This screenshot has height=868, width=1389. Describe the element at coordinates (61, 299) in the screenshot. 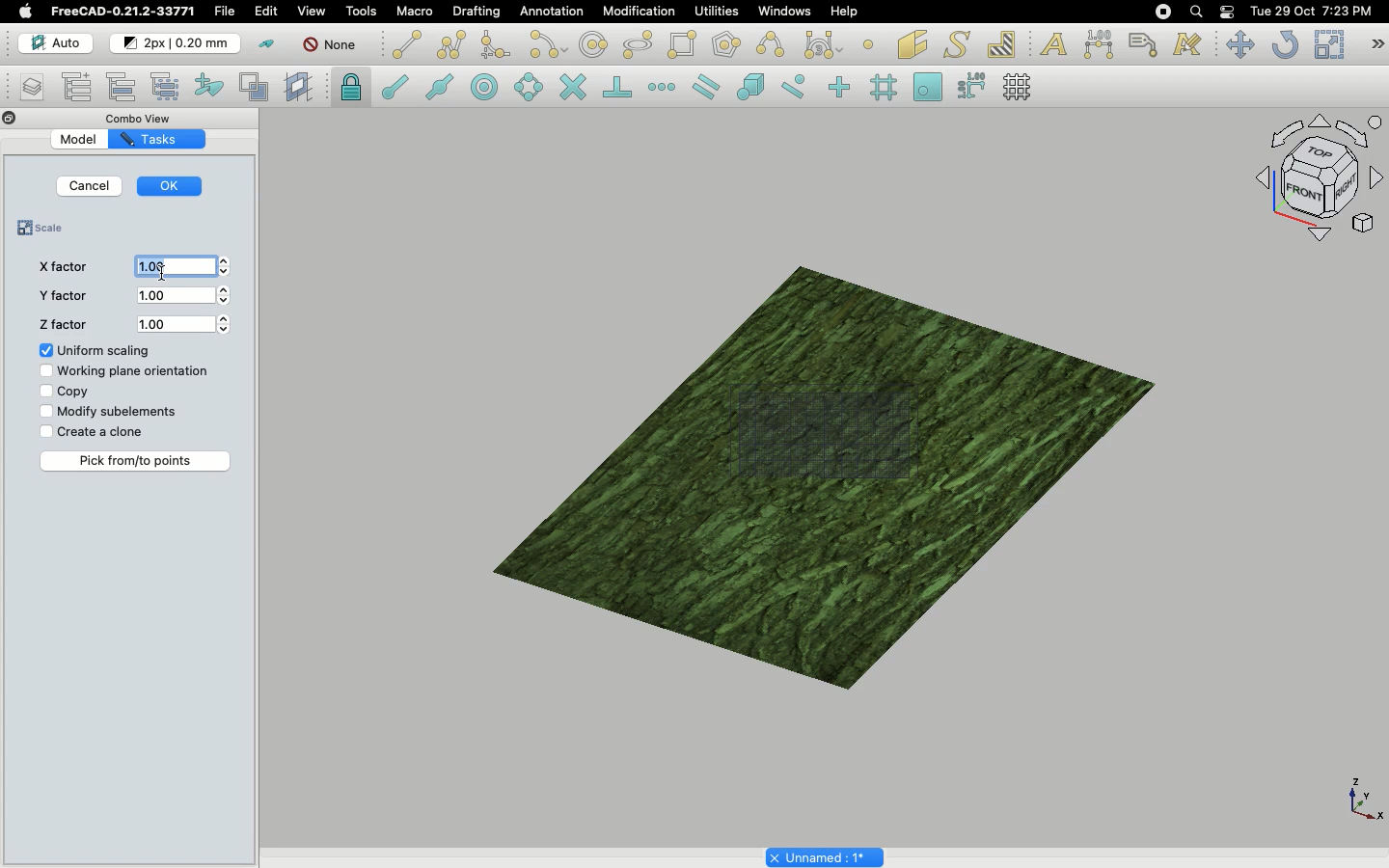

I see `Y factor` at that location.